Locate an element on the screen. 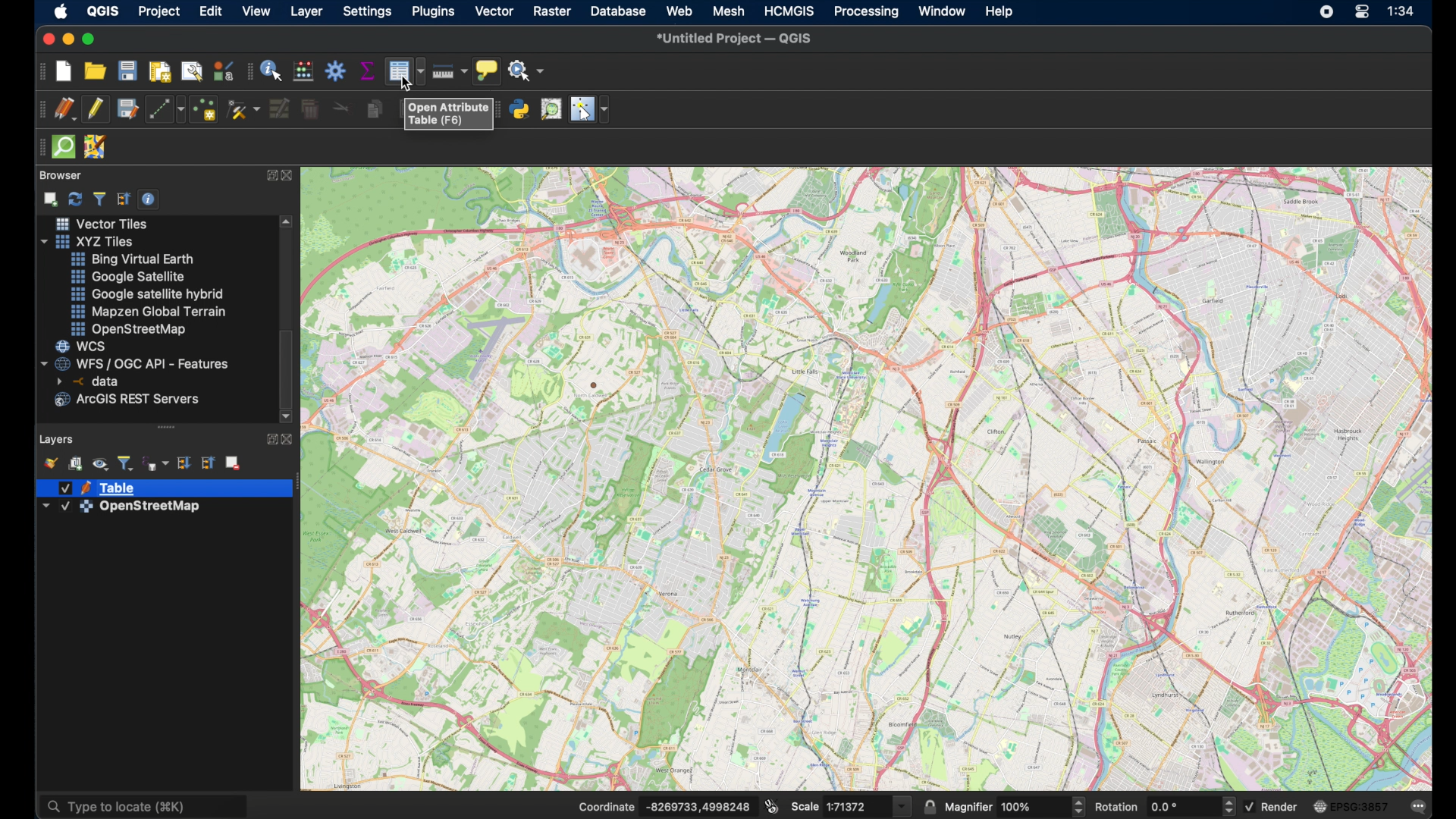 Image resolution: width=1456 pixels, height=819 pixels. current edits is located at coordinates (63, 109).